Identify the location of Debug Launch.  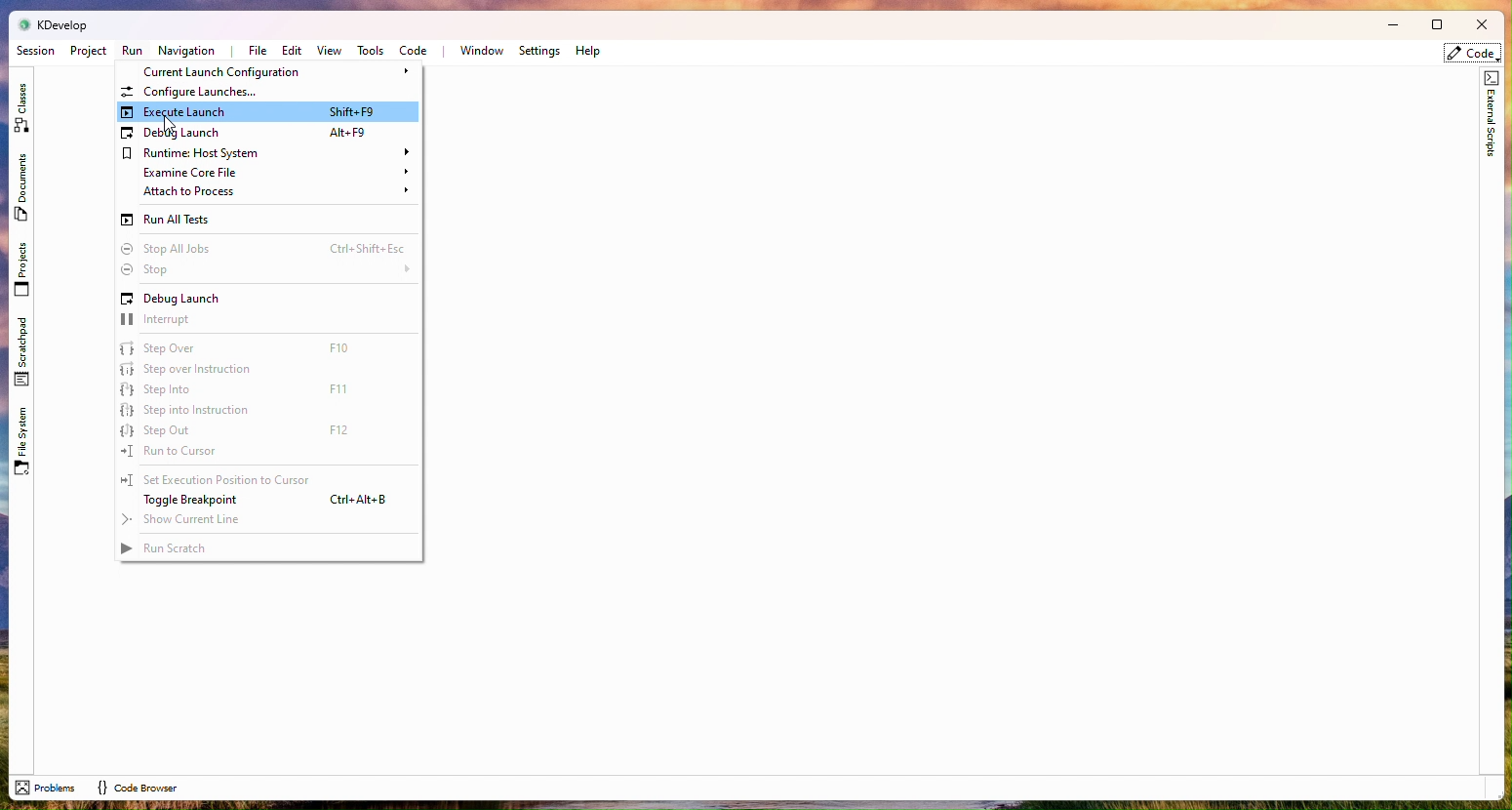
(262, 133).